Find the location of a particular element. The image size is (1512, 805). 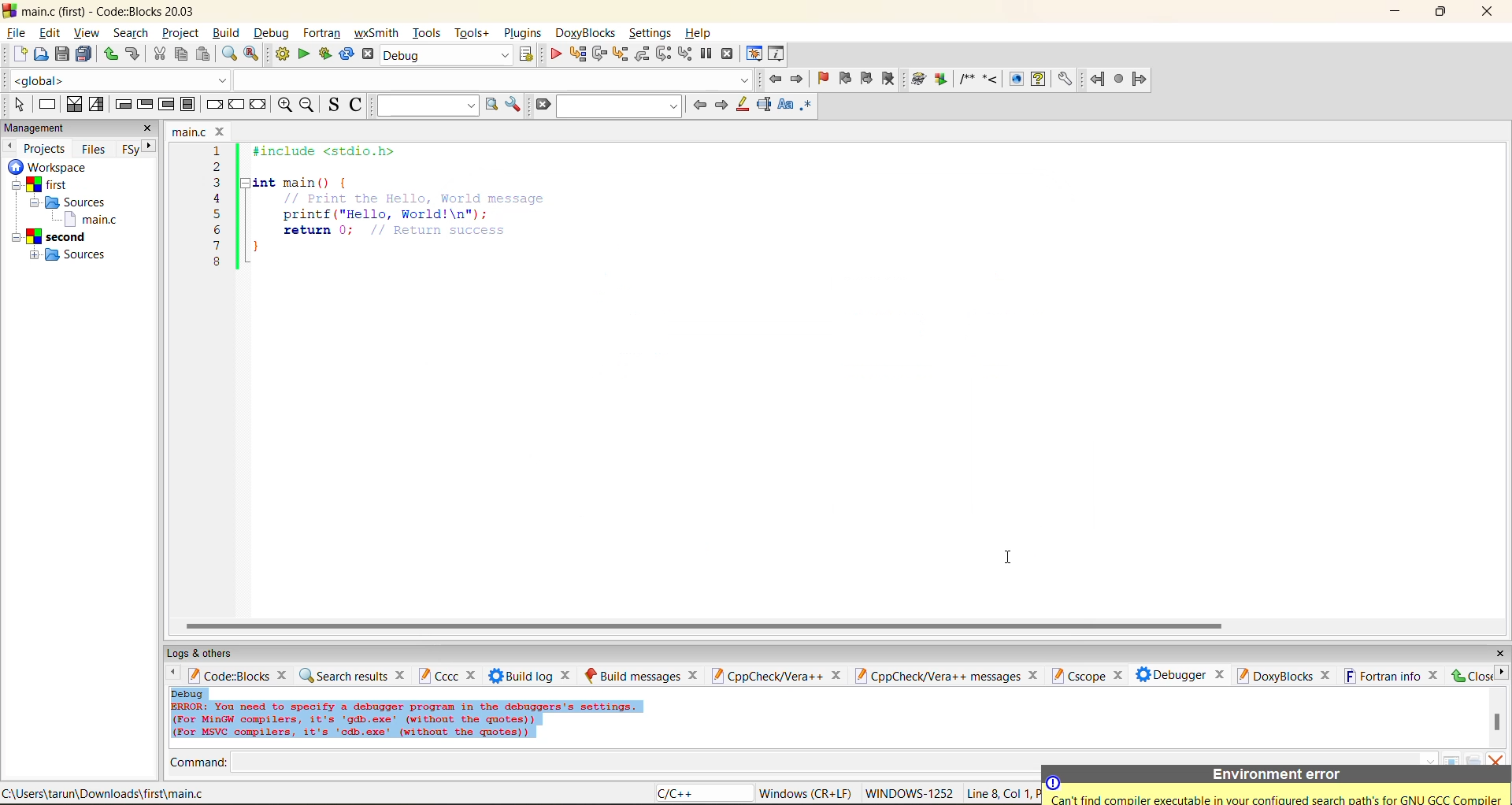

various info is located at coordinates (777, 54).